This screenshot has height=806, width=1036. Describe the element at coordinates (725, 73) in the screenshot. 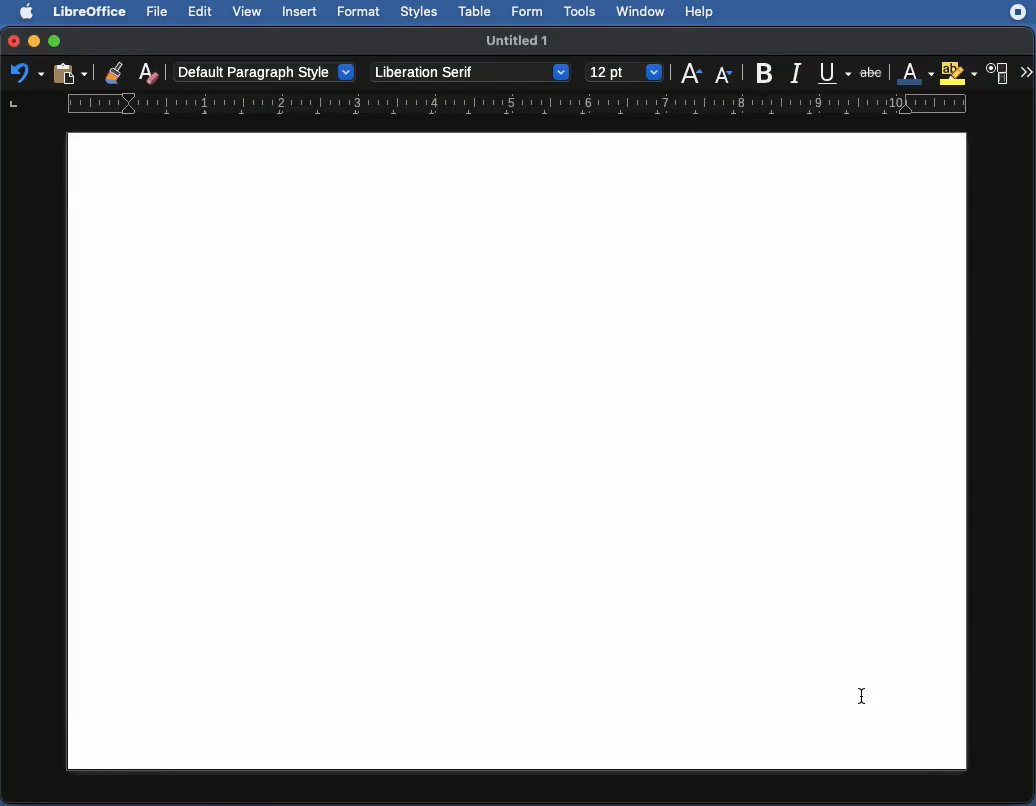

I see `Size down` at that location.